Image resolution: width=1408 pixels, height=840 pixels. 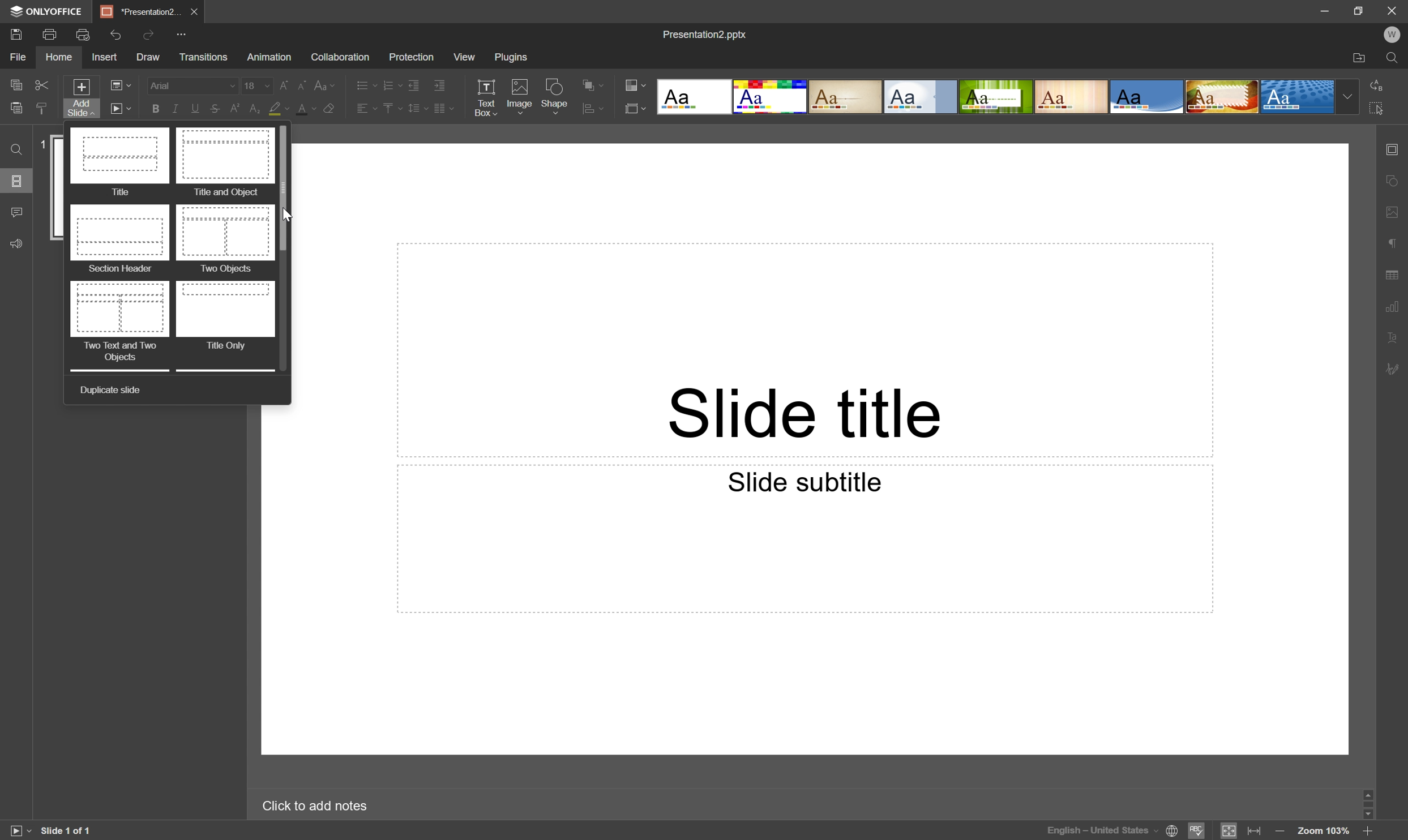 I want to click on Vertical align, so click(x=389, y=109).